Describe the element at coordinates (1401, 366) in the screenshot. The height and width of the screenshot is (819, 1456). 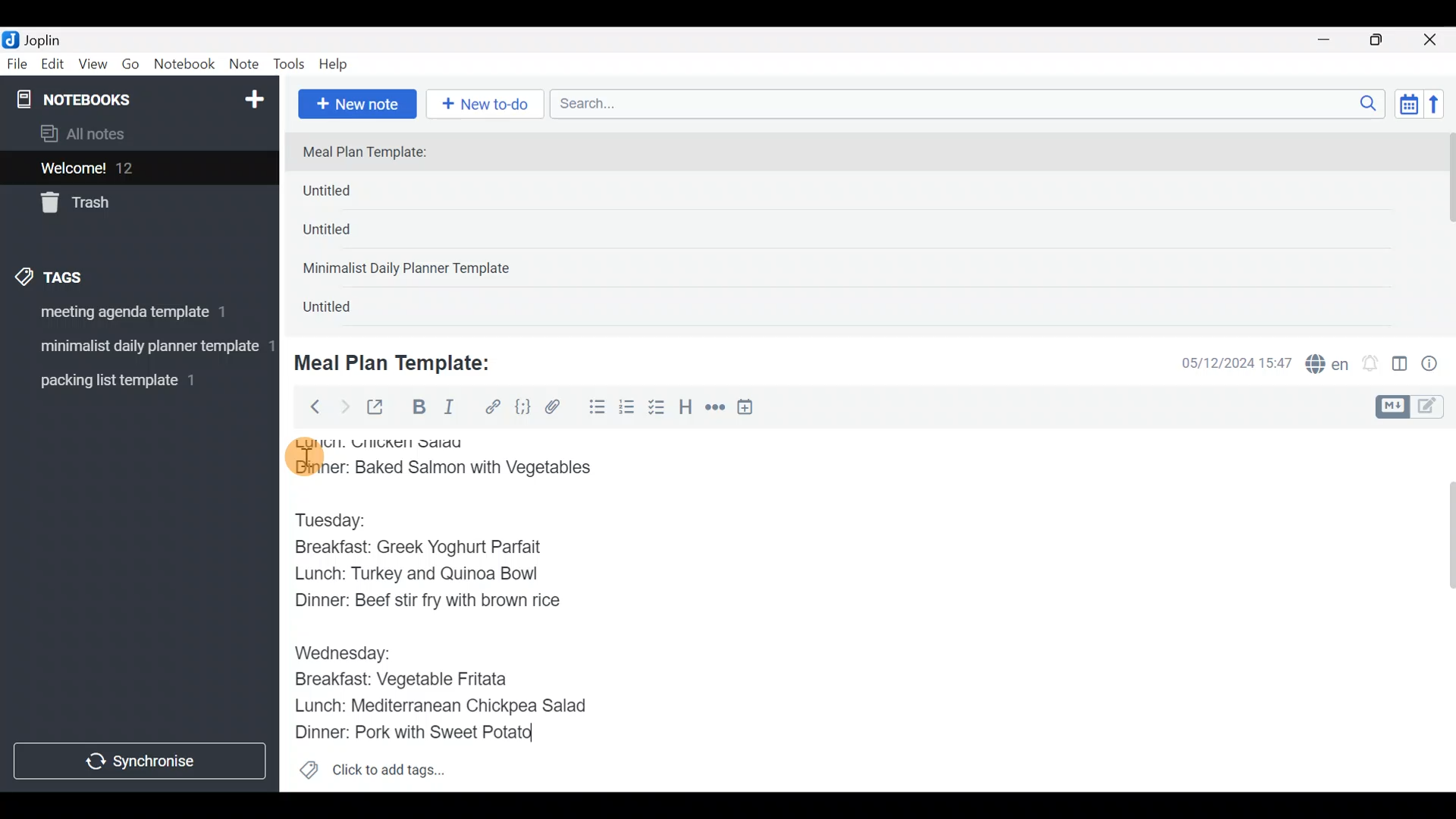
I see `Toggle editor layout` at that location.